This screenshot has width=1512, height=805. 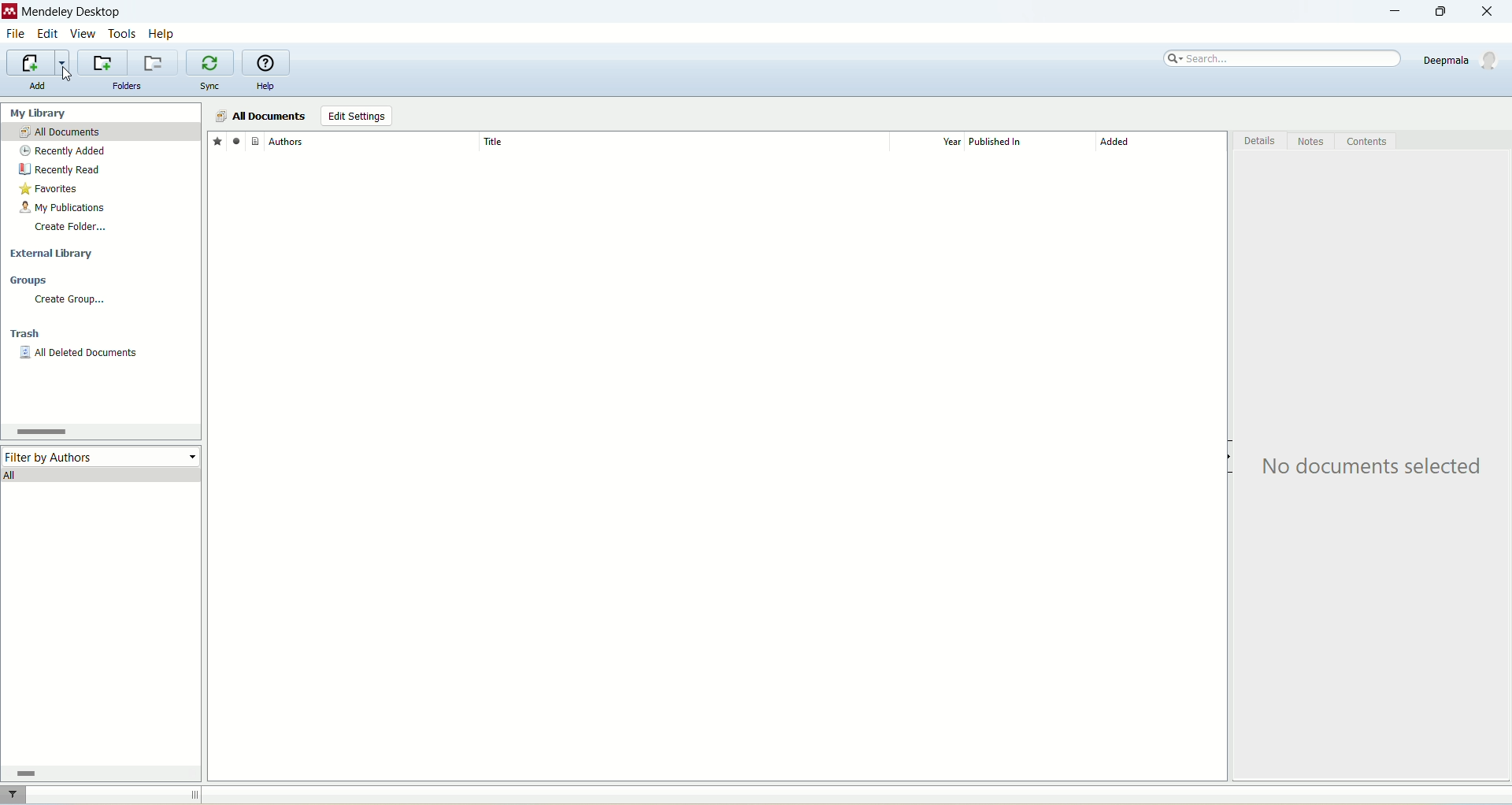 I want to click on account, so click(x=1463, y=60).